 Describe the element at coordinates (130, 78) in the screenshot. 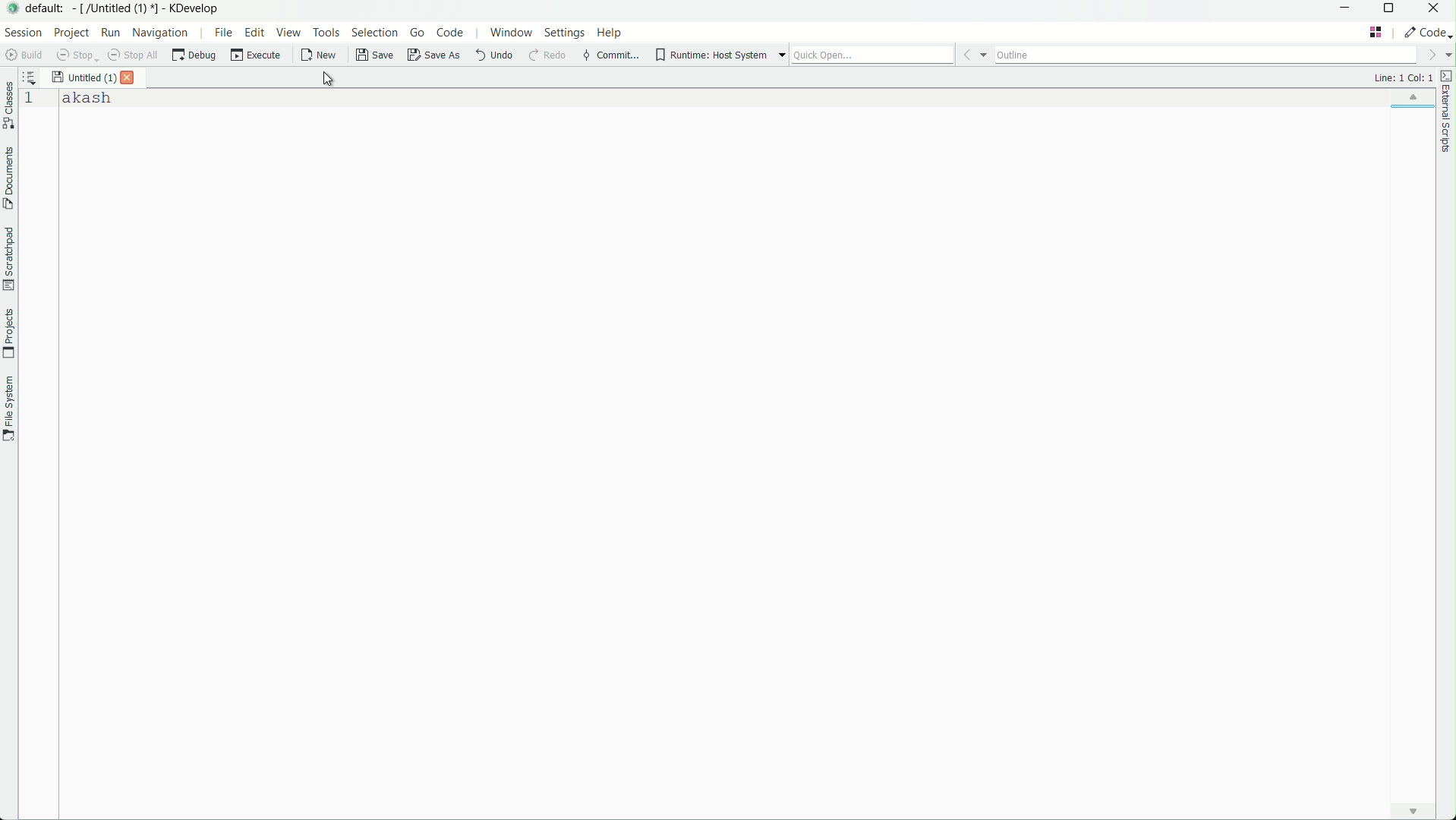

I see `close file` at that location.